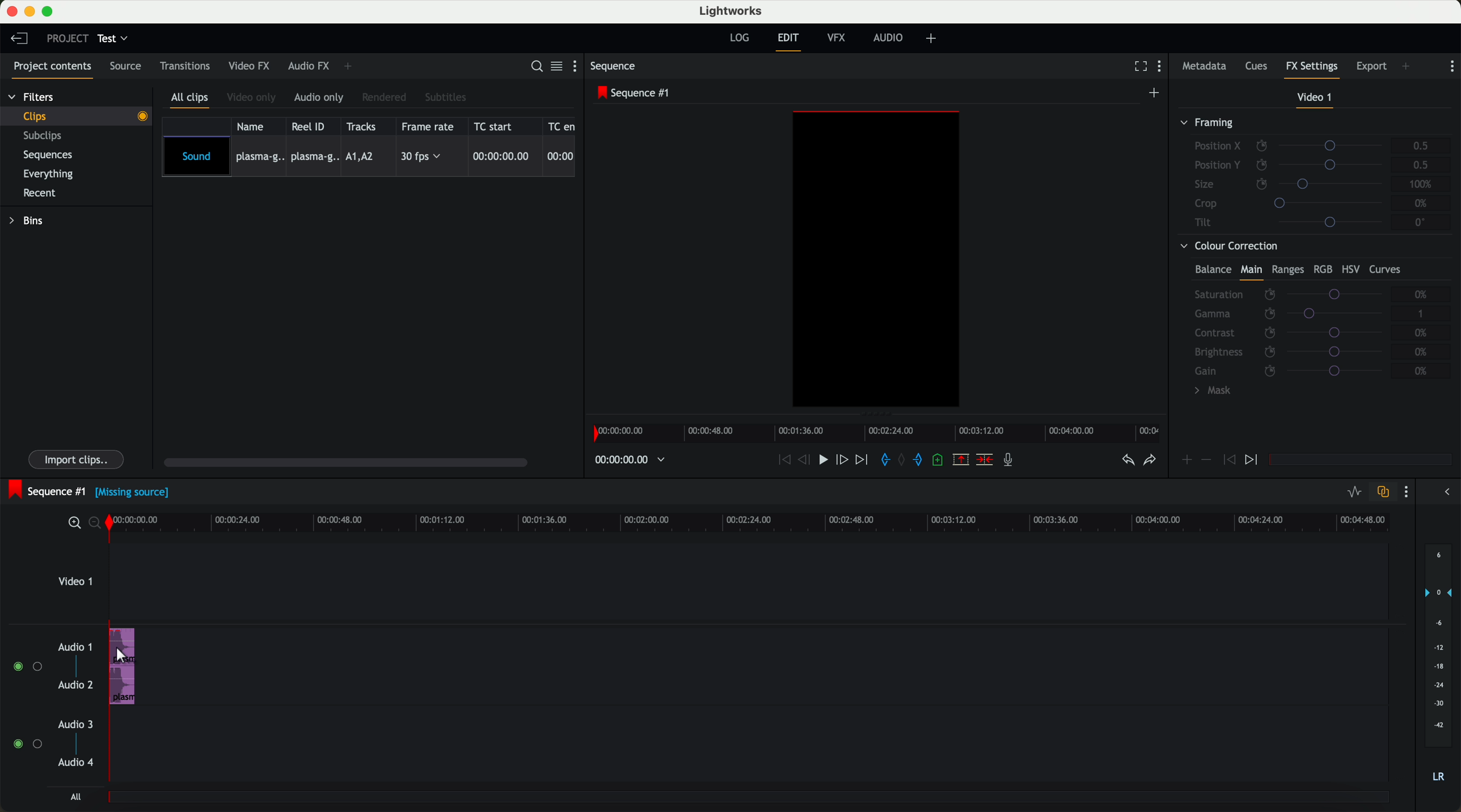  What do you see at coordinates (192, 99) in the screenshot?
I see `all clips` at bounding box center [192, 99].